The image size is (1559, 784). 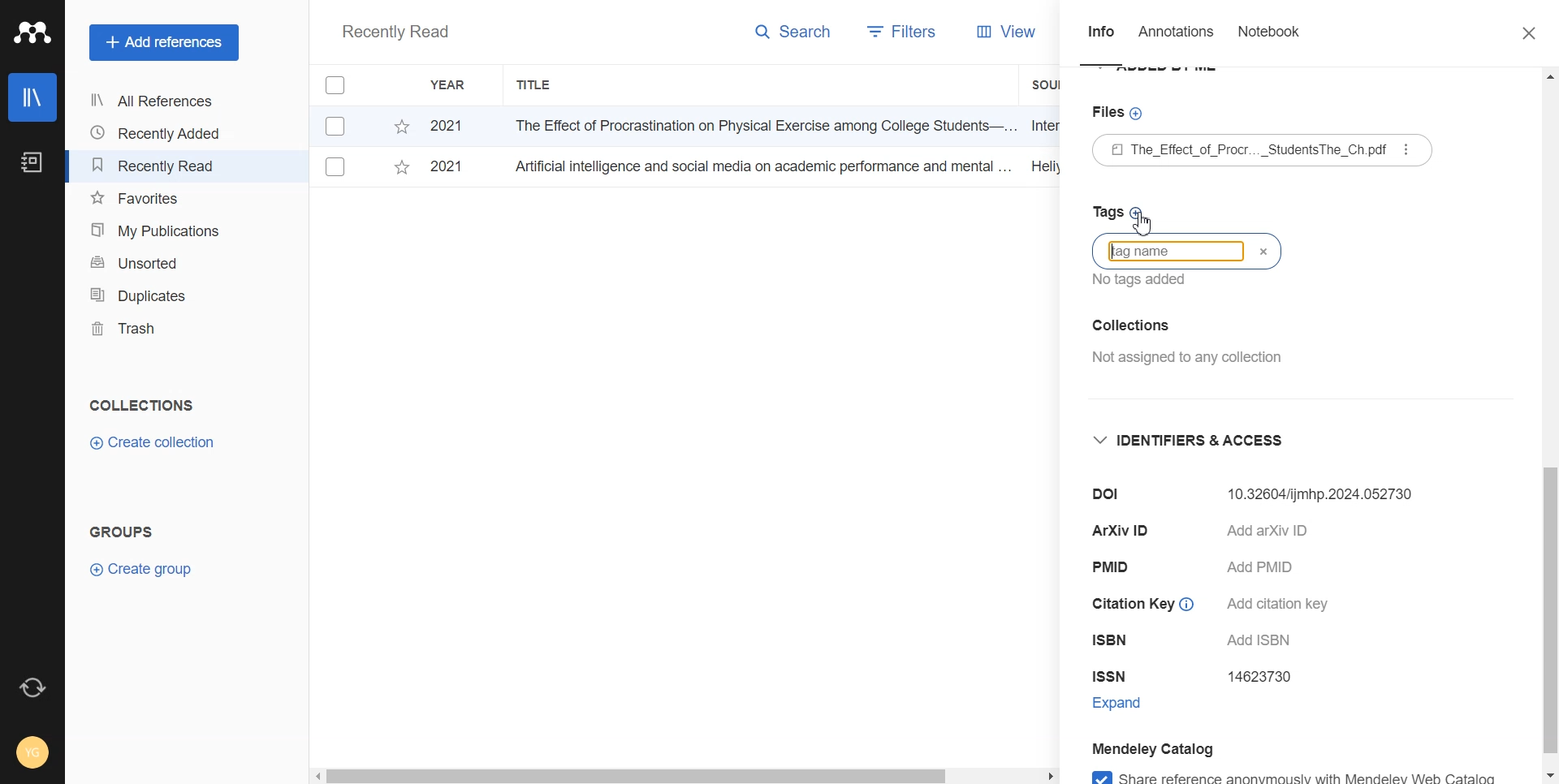 What do you see at coordinates (30, 163) in the screenshot?
I see `Notebook` at bounding box center [30, 163].